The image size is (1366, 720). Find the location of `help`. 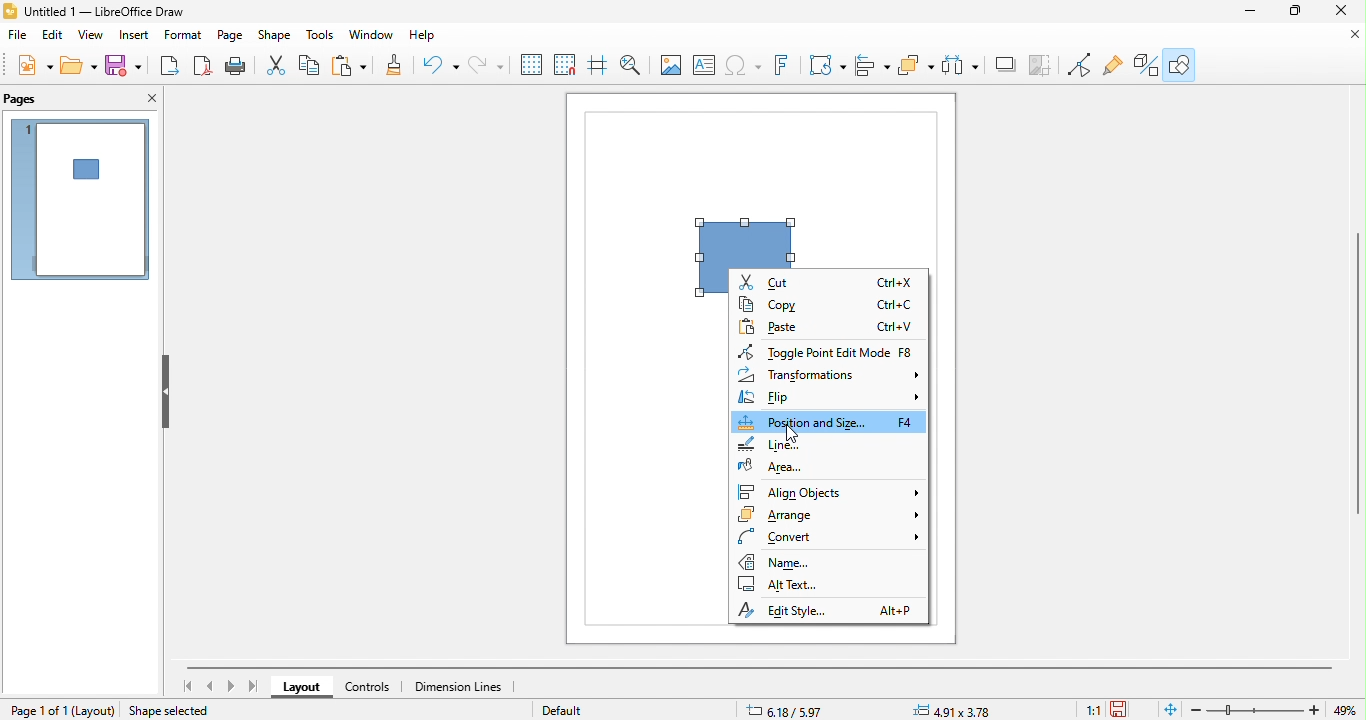

help is located at coordinates (431, 39).